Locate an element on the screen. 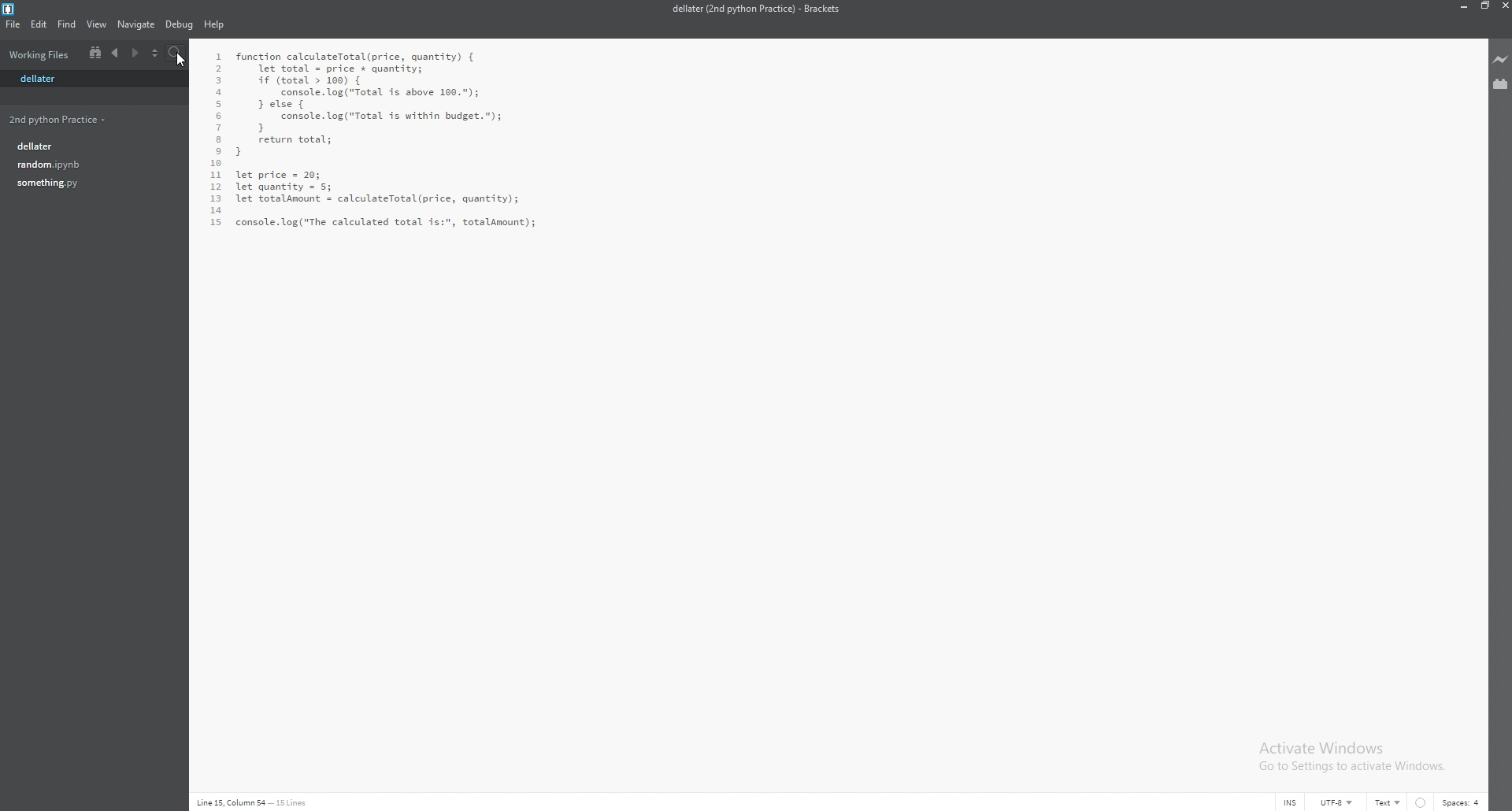 The width and height of the screenshot is (1512, 811). random.ipynb is located at coordinates (91, 165).